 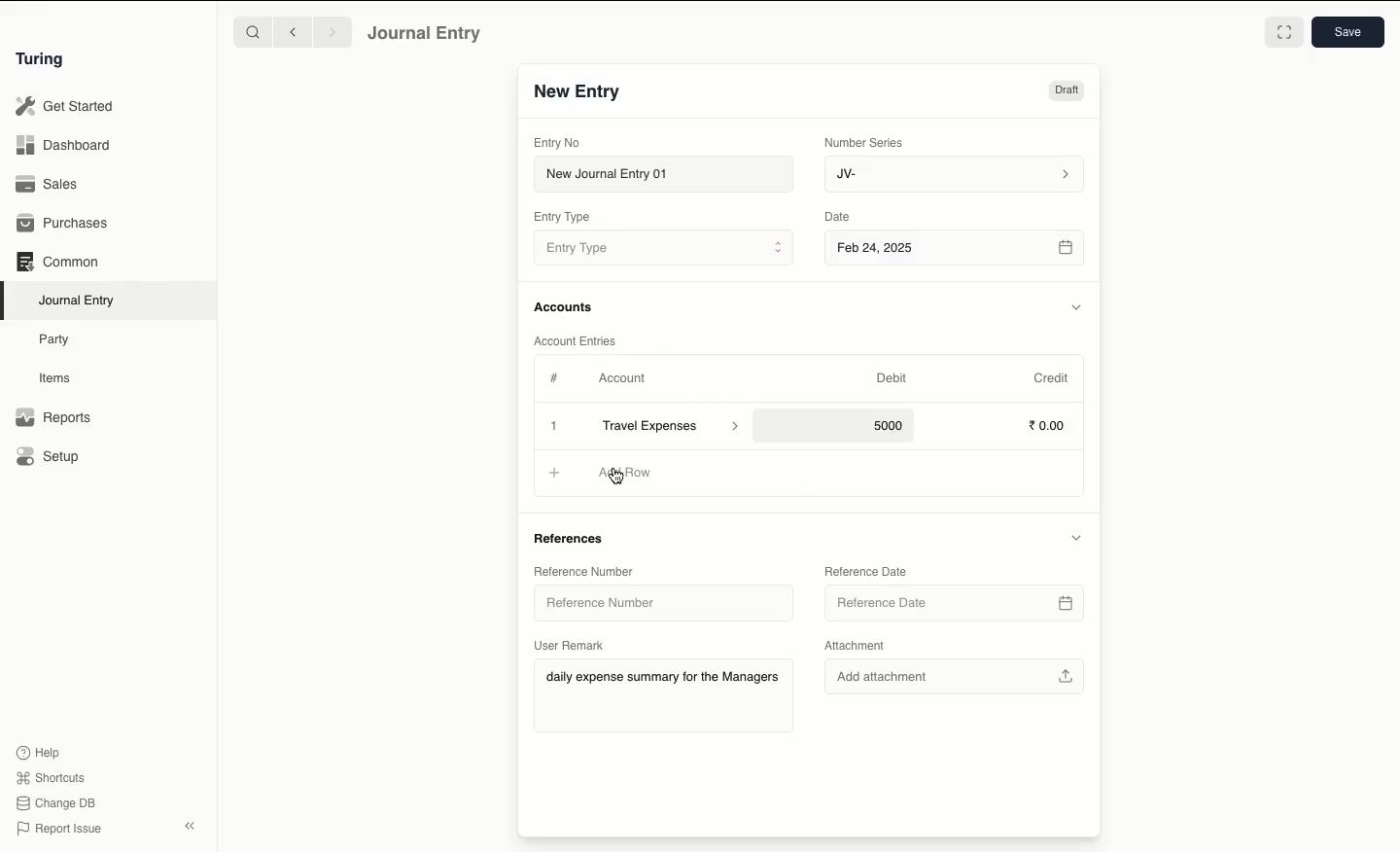 I want to click on cursor, so click(x=617, y=477).